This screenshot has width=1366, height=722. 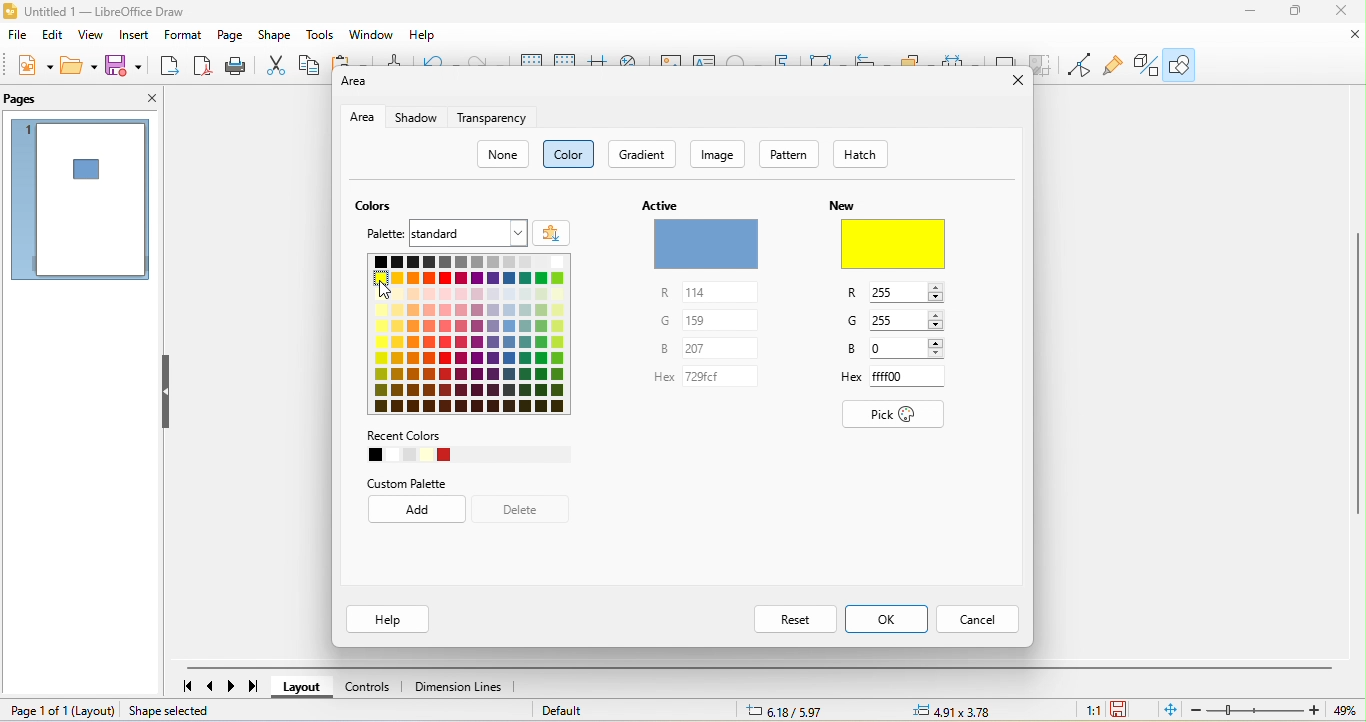 I want to click on g 159, so click(x=712, y=320).